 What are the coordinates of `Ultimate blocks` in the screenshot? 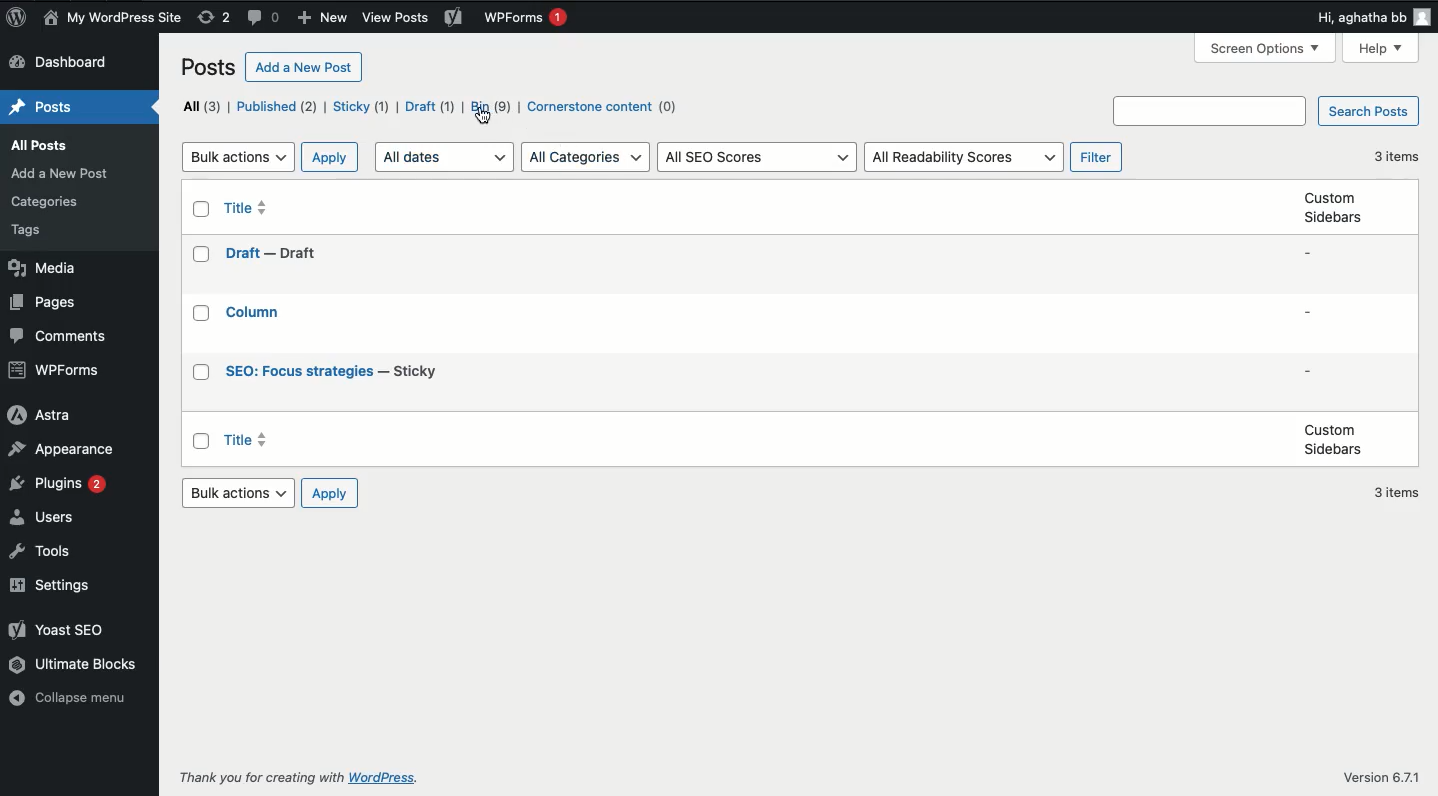 It's located at (73, 665).